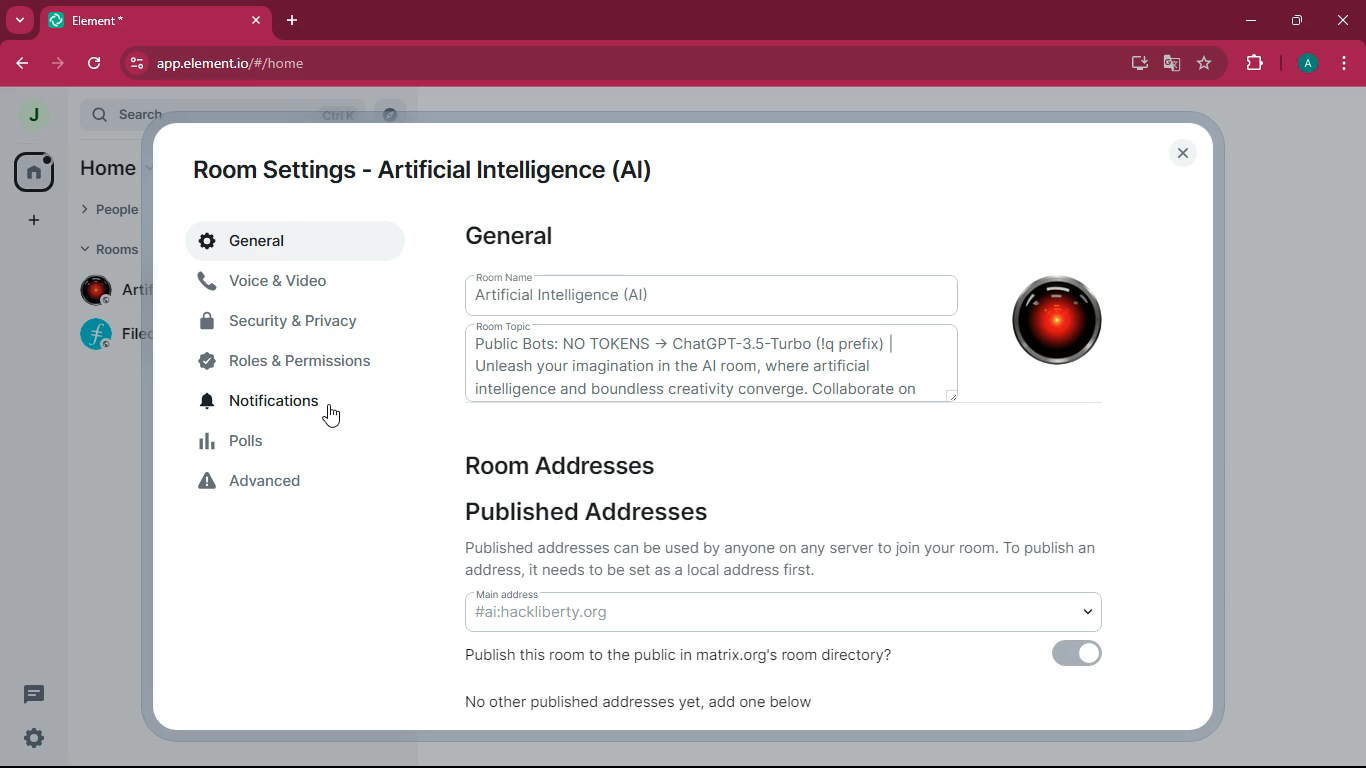  What do you see at coordinates (576, 464) in the screenshot?
I see `room addresses` at bounding box center [576, 464].